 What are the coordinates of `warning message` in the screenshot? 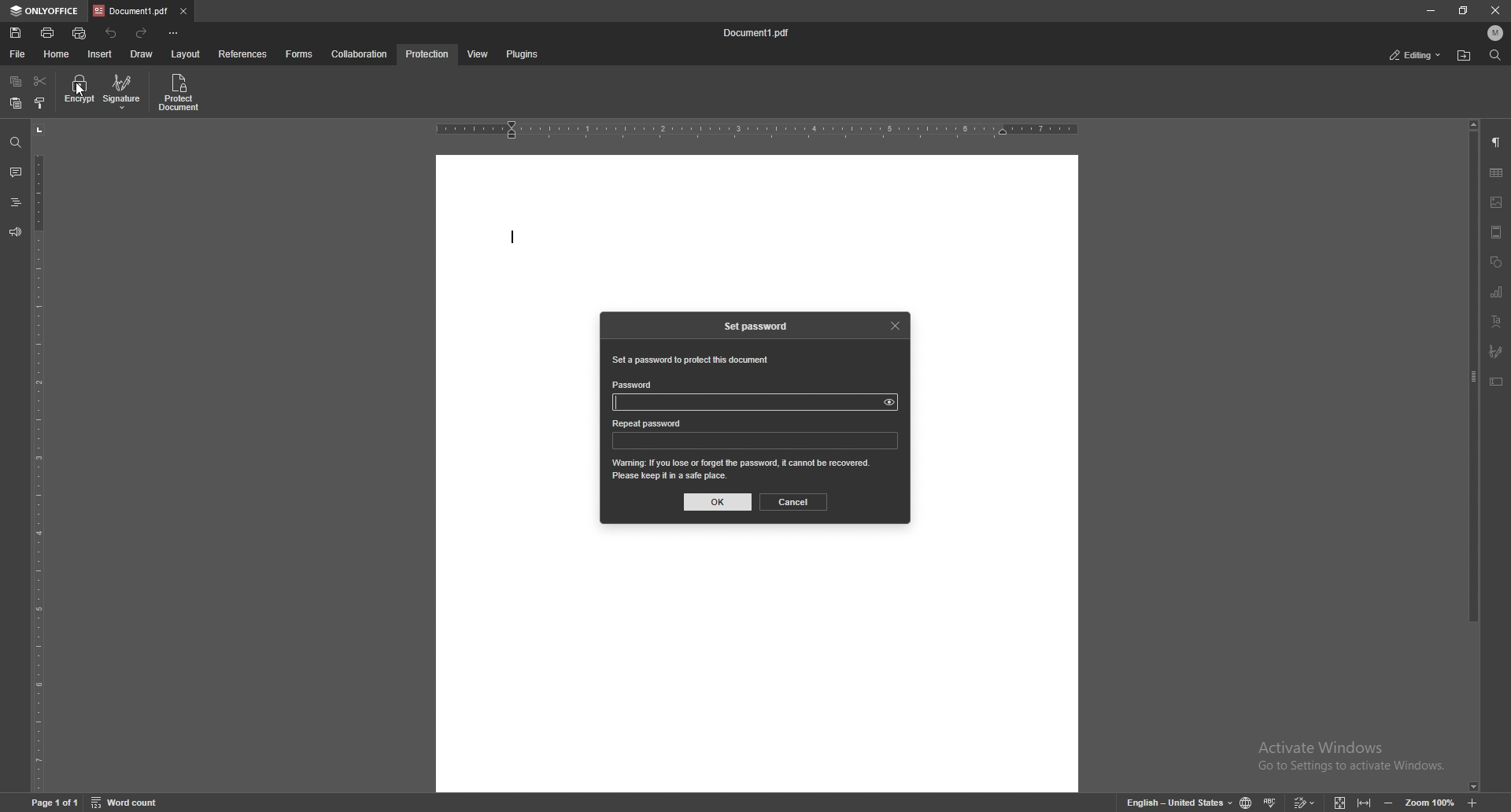 It's located at (742, 469).